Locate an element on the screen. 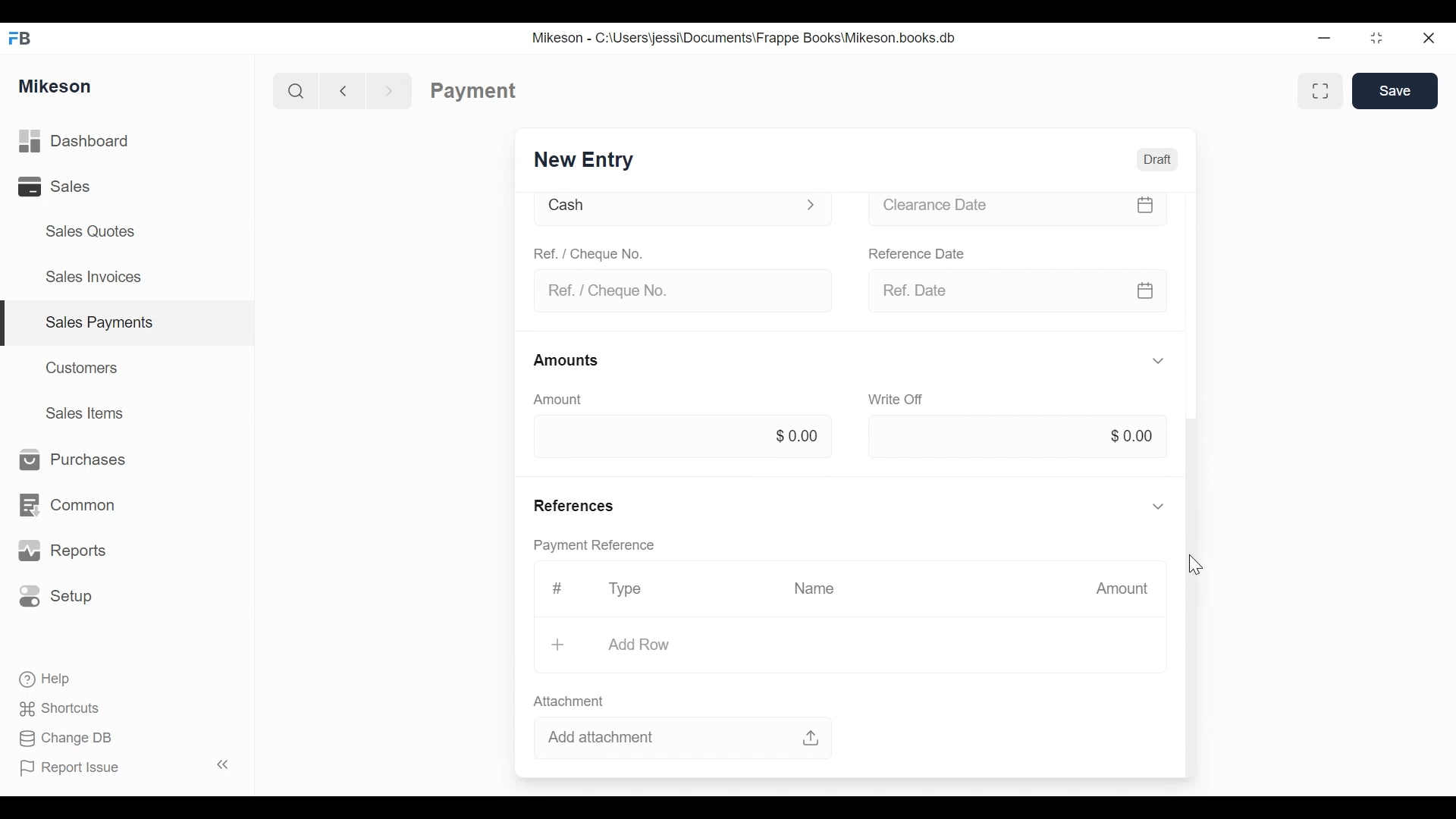  ref./cheque no. is located at coordinates (604, 288).